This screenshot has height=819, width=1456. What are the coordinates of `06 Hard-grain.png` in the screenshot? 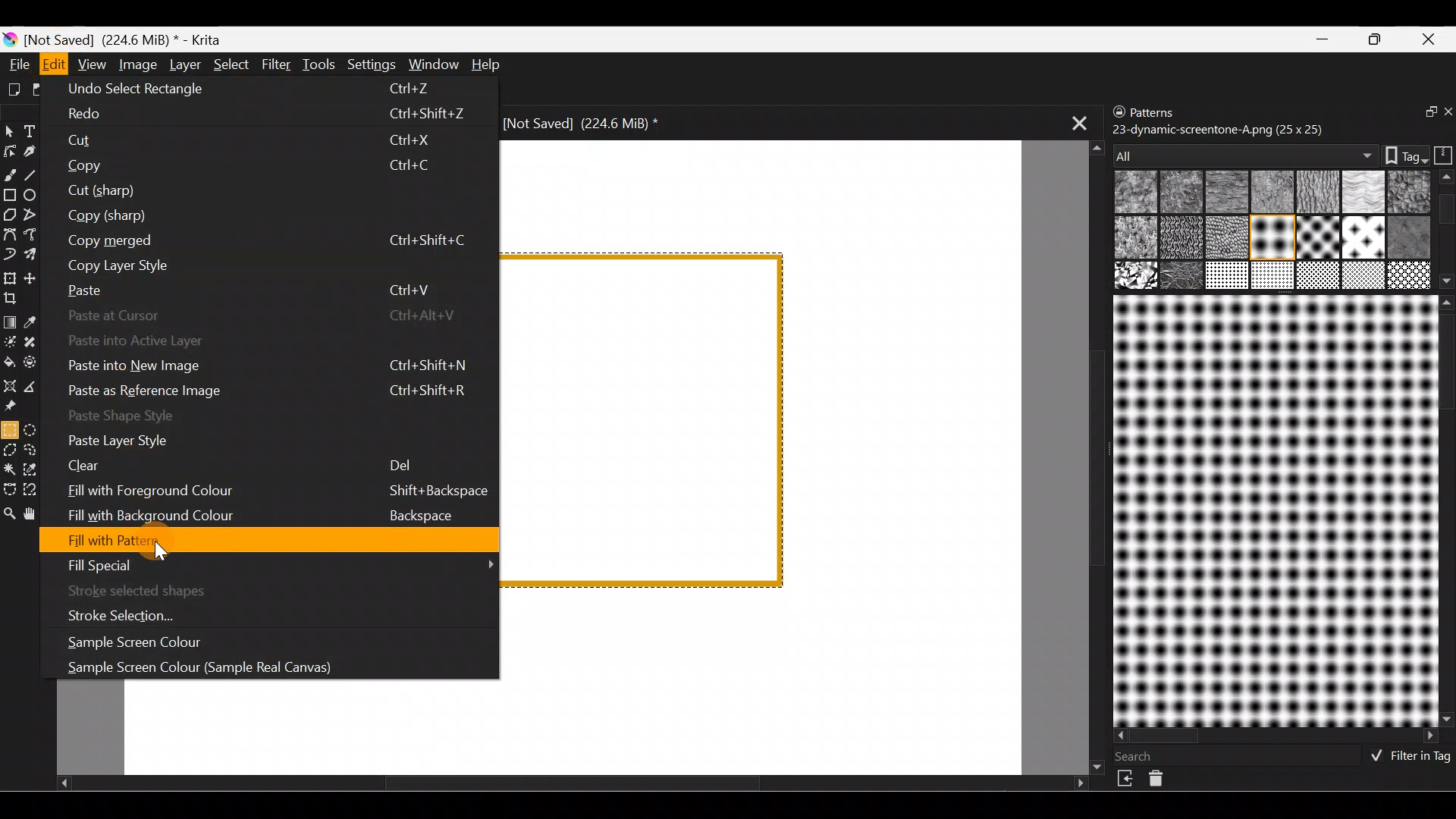 It's located at (1409, 191).